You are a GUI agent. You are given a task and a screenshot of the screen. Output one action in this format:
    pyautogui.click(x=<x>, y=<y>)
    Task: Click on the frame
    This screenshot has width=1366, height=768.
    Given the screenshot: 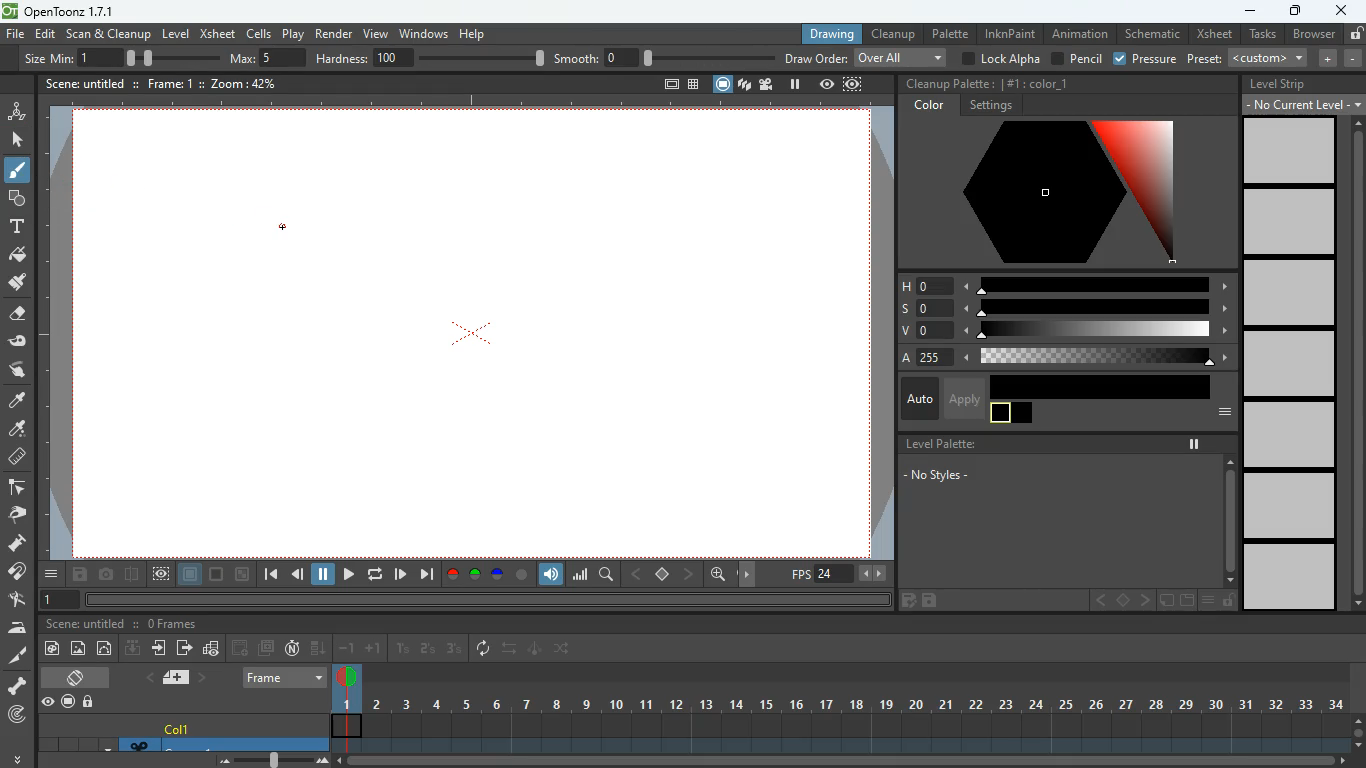 What is the action you would take?
    pyautogui.click(x=56, y=601)
    